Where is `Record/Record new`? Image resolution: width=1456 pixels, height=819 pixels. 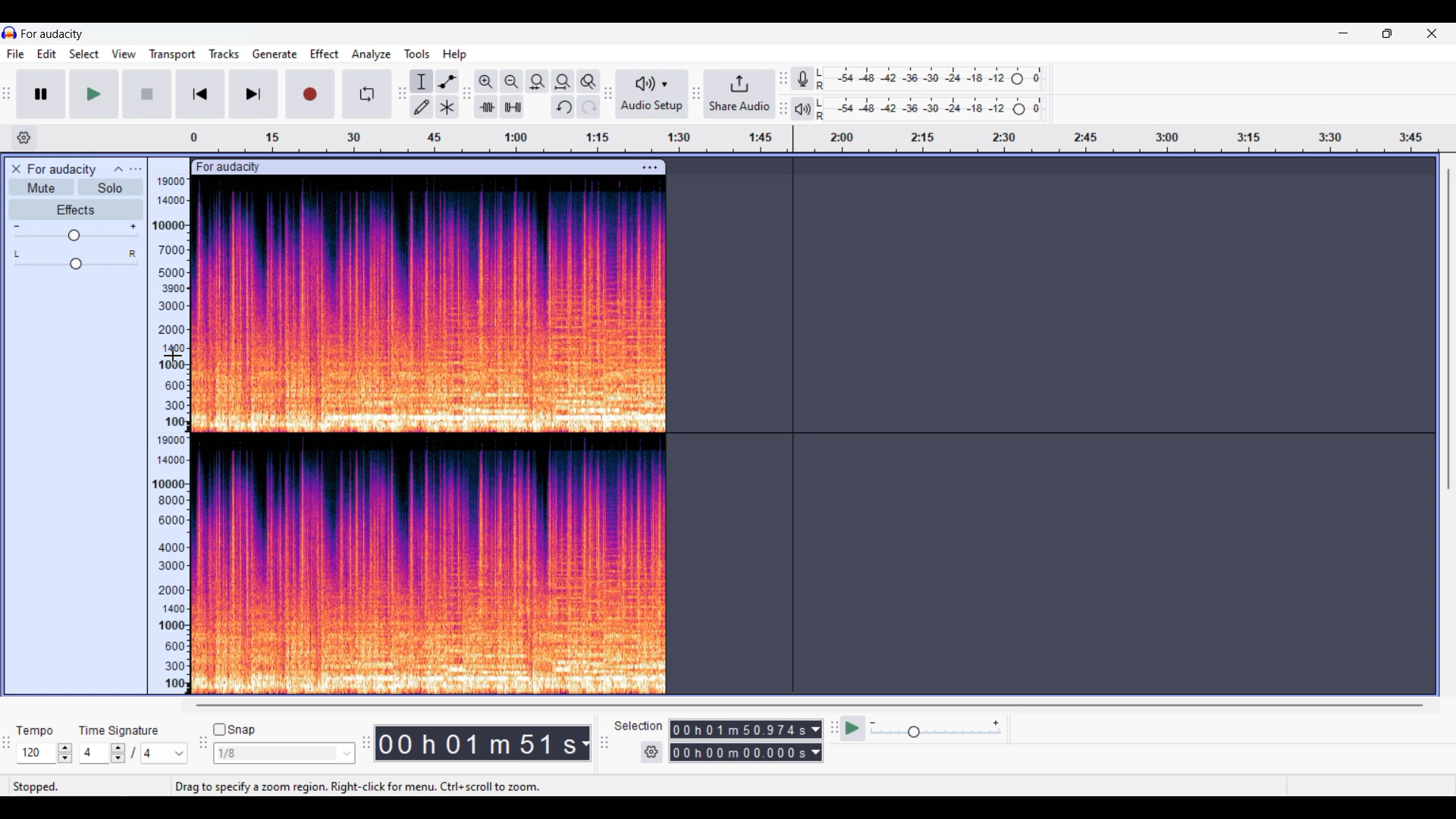 Record/Record new is located at coordinates (311, 94).